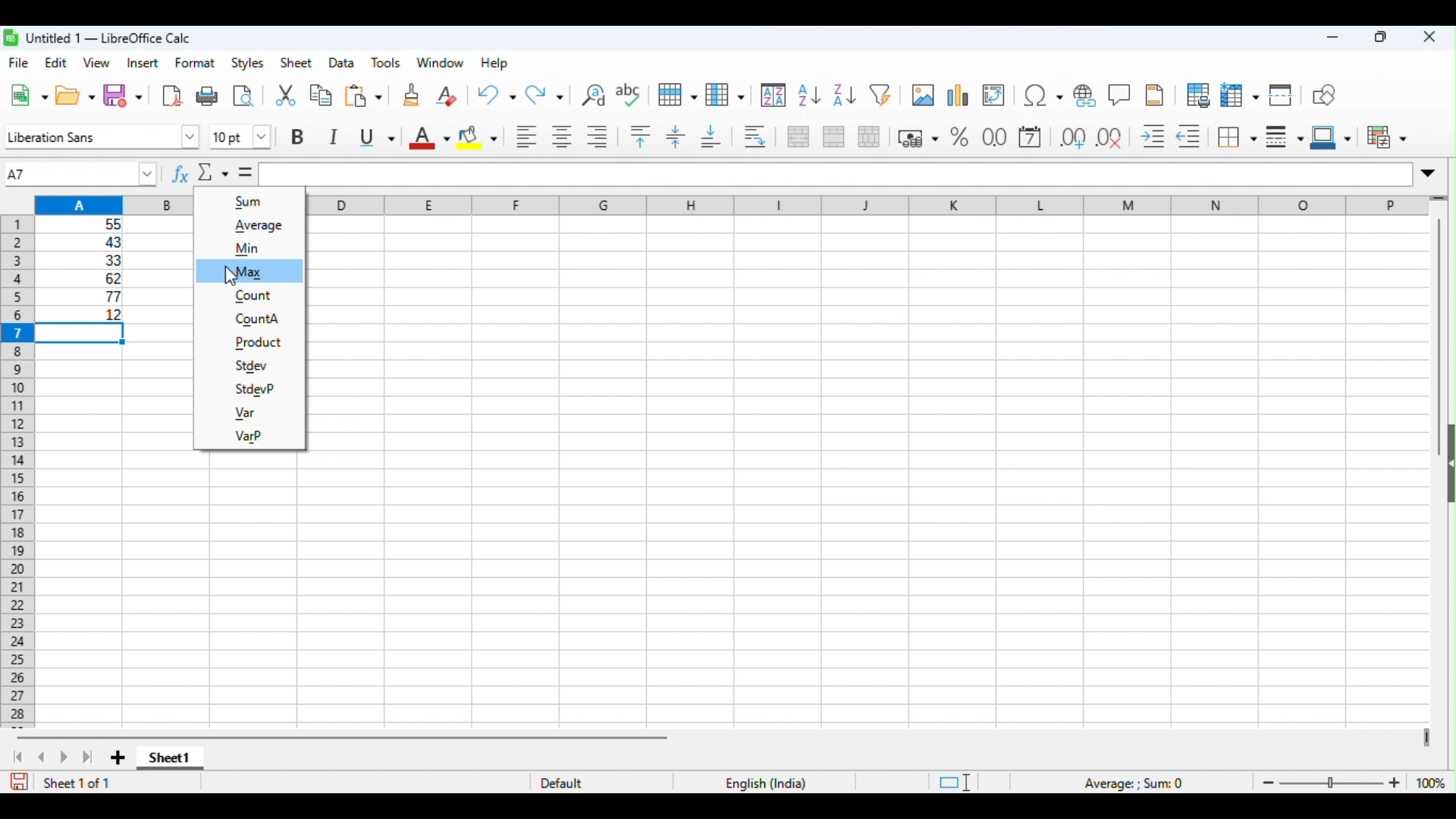 This screenshot has width=1456, height=819. Describe the element at coordinates (447, 96) in the screenshot. I see `clear direct formatting` at that location.